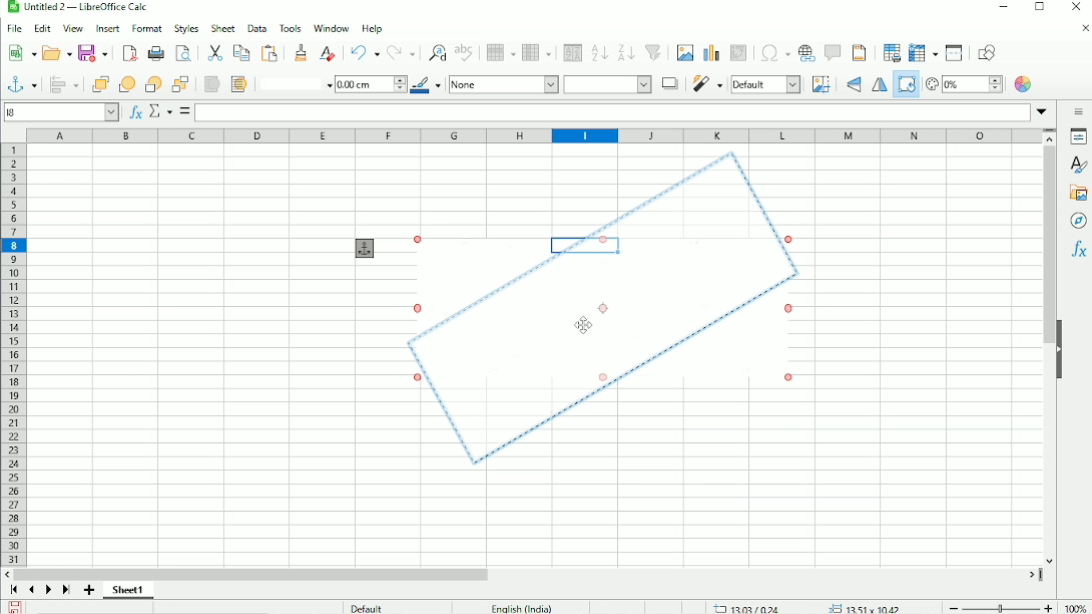  What do you see at coordinates (877, 85) in the screenshot?
I see `Flip horizontally` at bounding box center [877, 85].